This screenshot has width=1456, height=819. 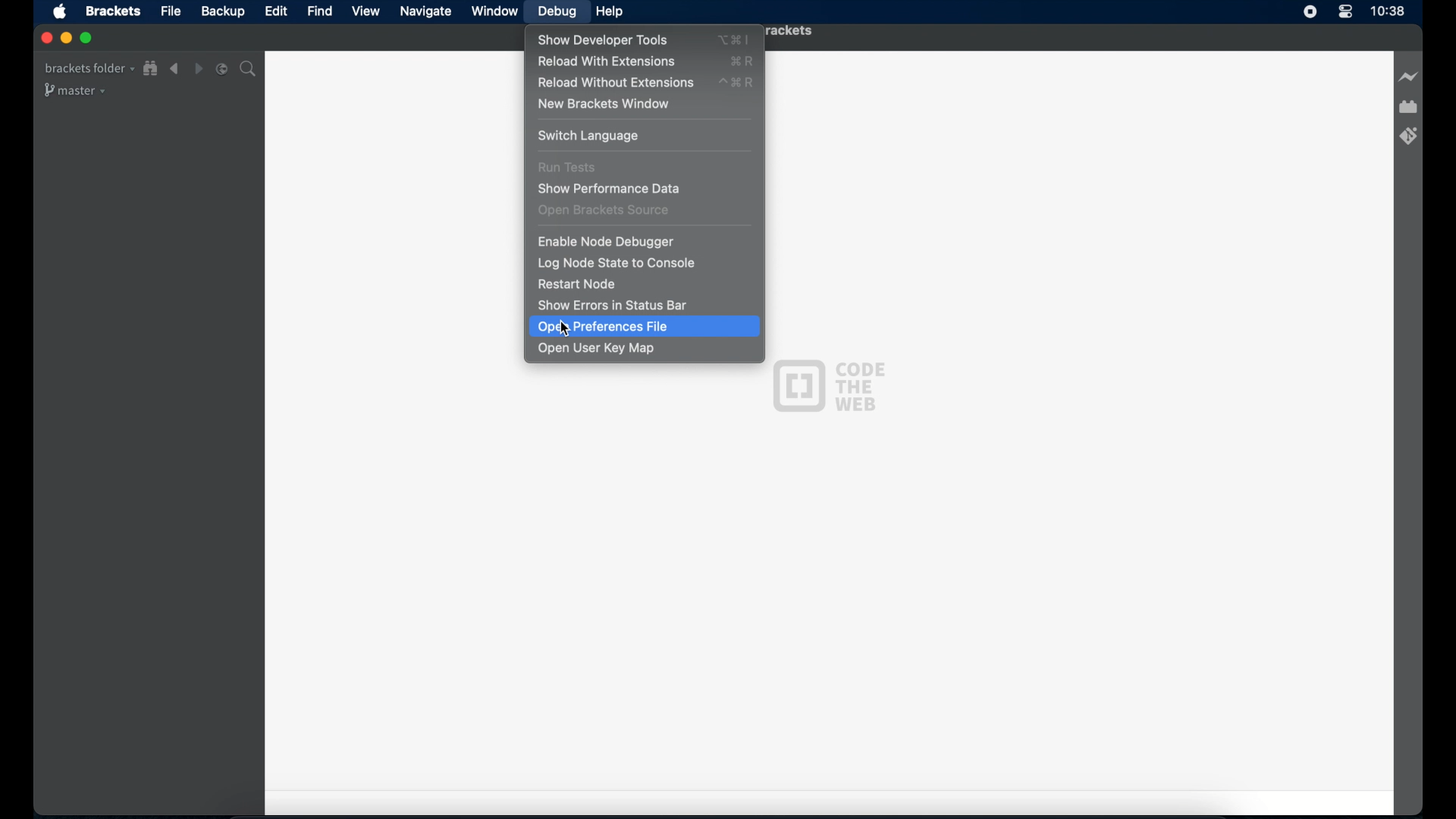 I want to click on Cursor, so click(x=568, y=328).